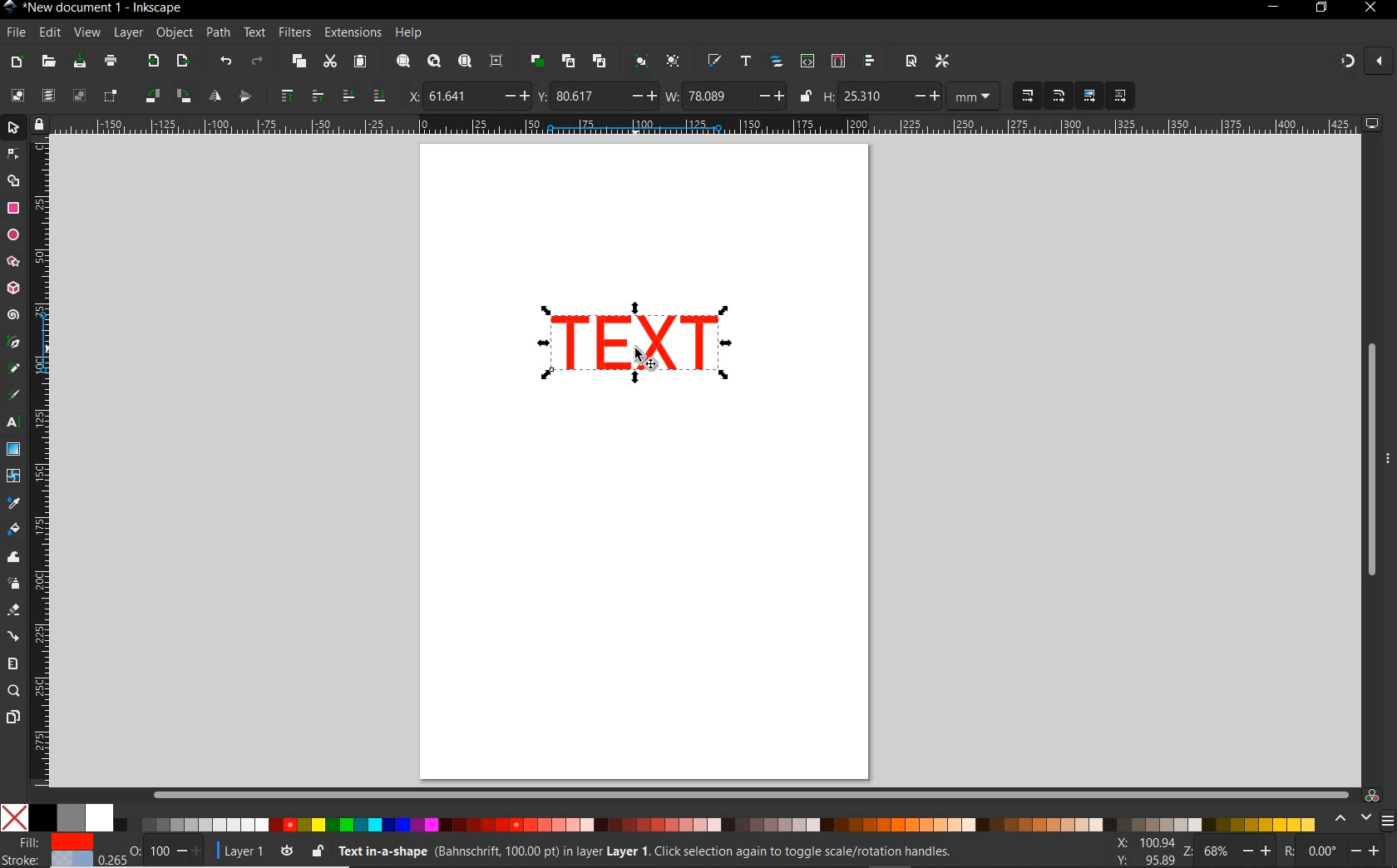  What do you see at coordinates (1372, 795) in the screenshot?
I see `color managed code` at bounding box center [1372, 795].